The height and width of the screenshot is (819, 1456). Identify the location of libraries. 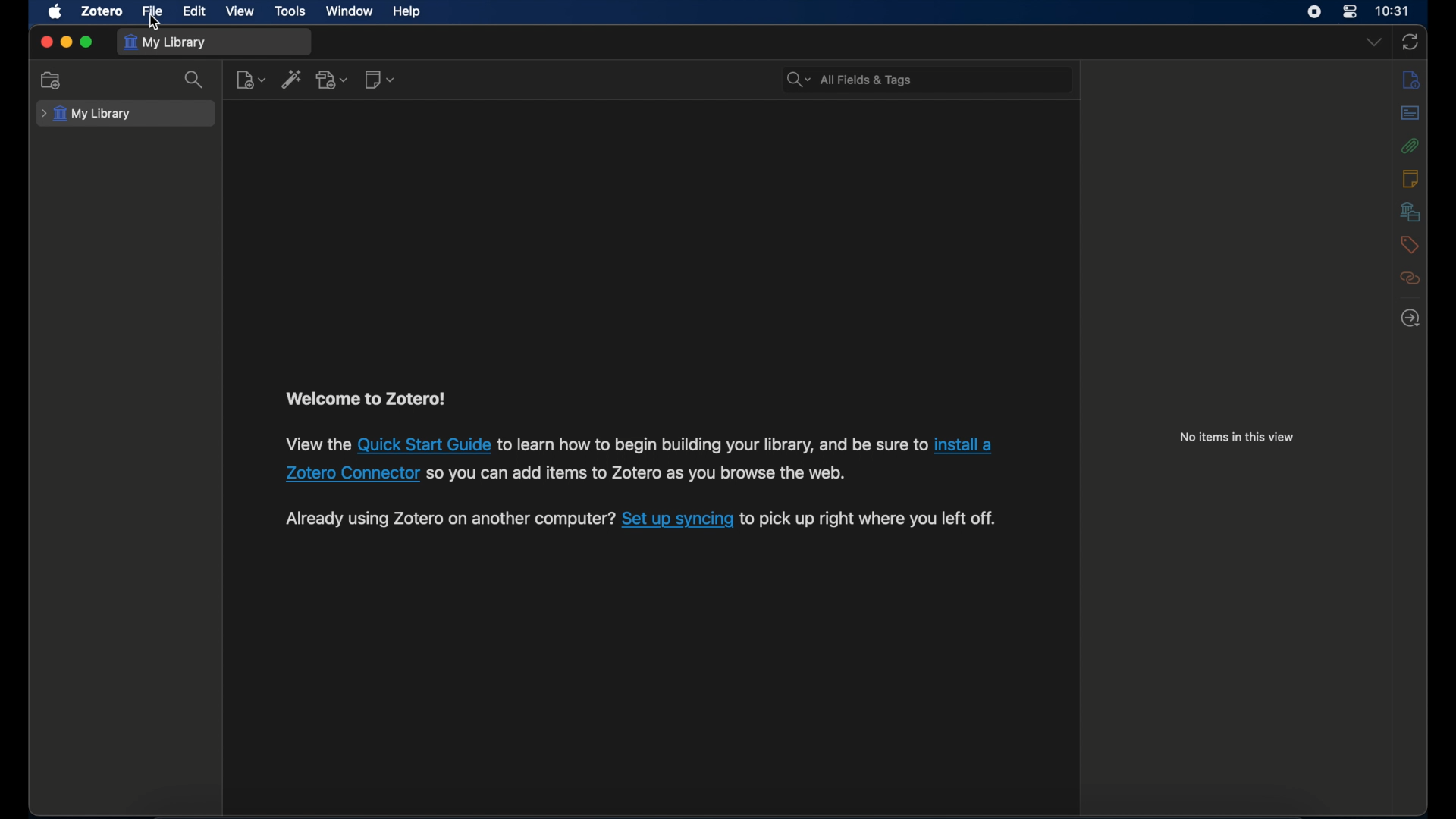
(1411, 212).